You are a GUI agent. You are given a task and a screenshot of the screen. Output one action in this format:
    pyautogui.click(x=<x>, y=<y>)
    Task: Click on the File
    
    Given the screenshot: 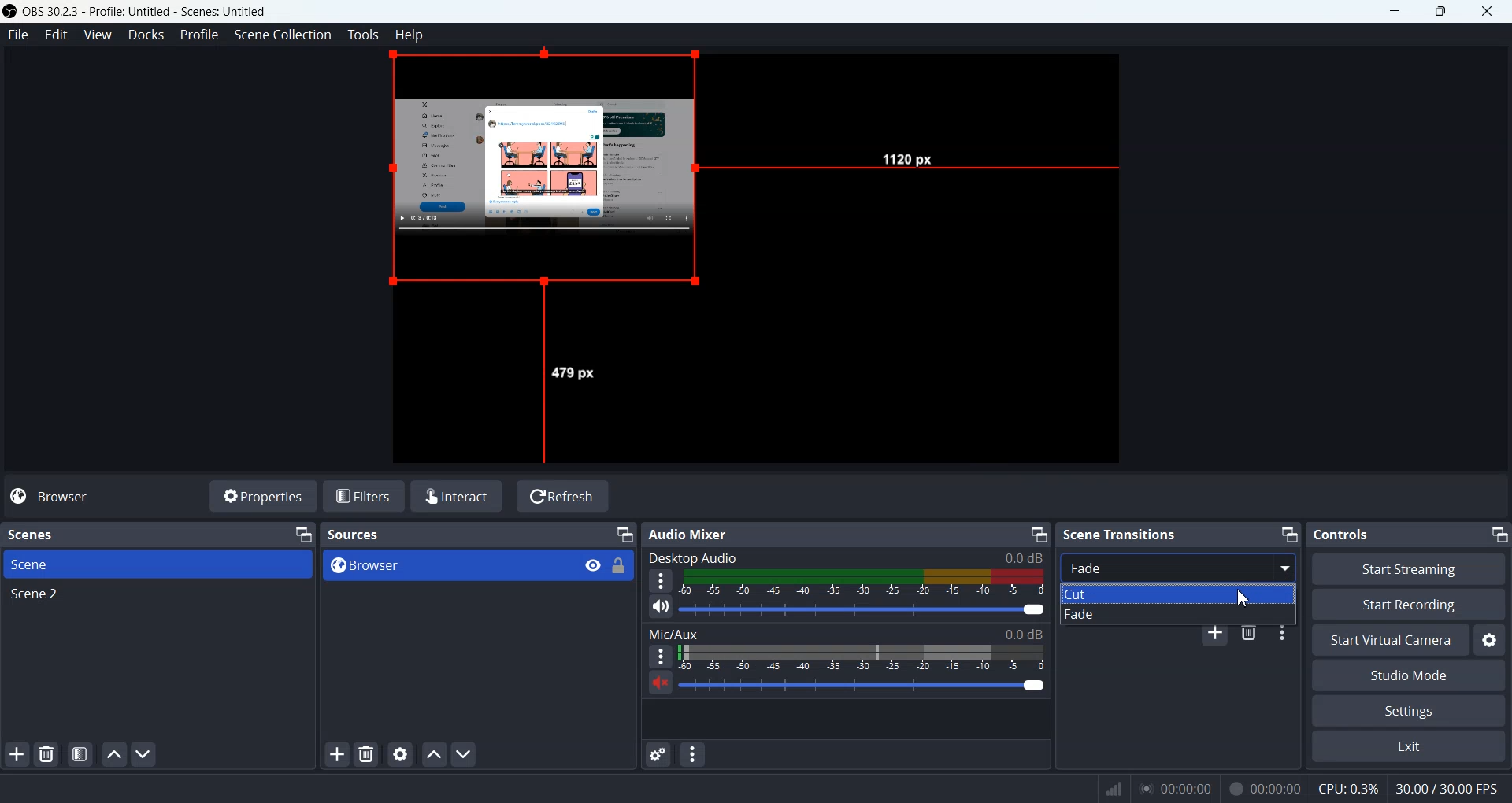 What is the action you would take?
    pyautogui.click(x=16, y=34)
    